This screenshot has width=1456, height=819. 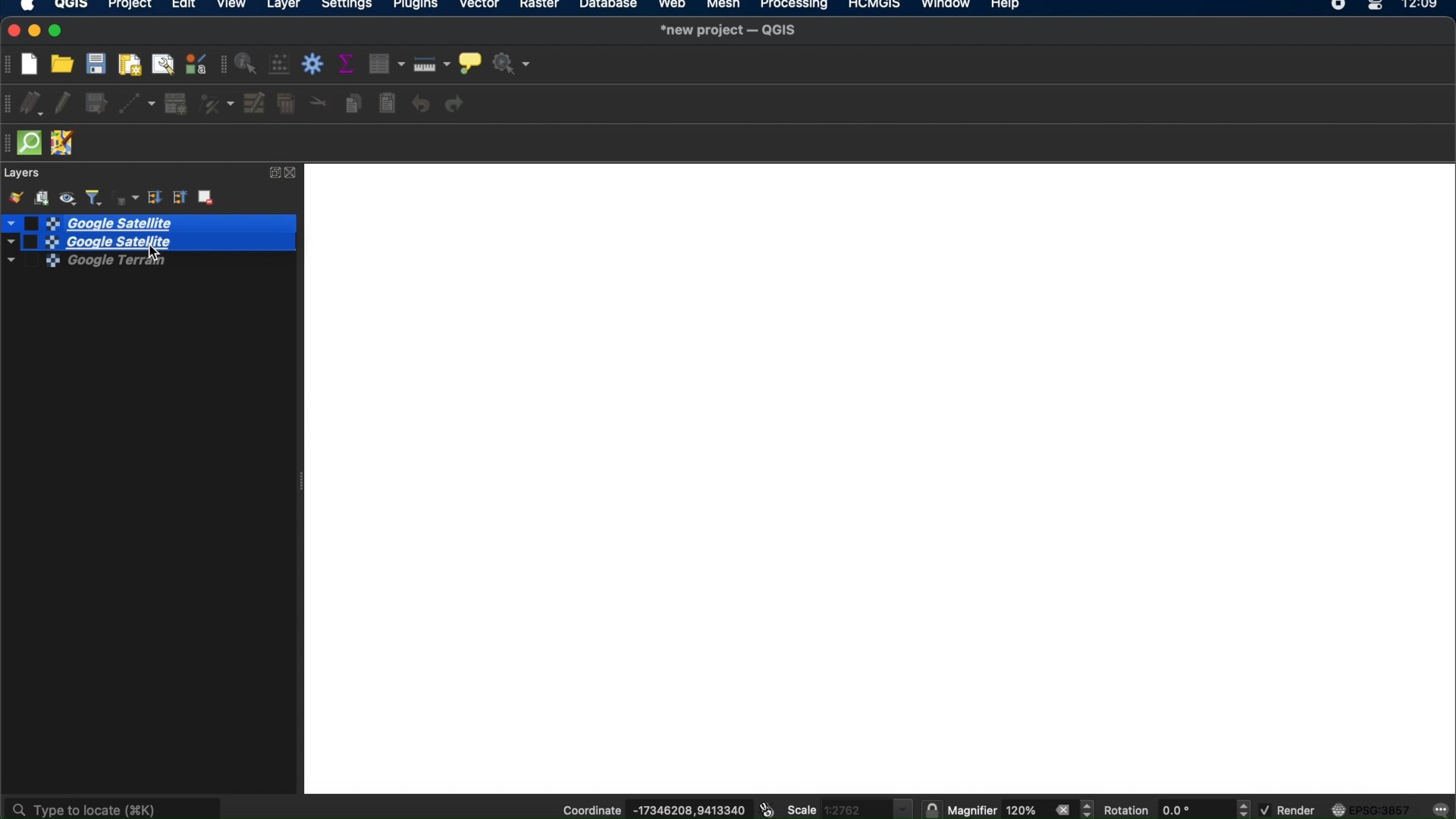 What do you see at coordinates (70, 196) in the screenshot?
I see `manage map themes` at bounding box center [70, 196].